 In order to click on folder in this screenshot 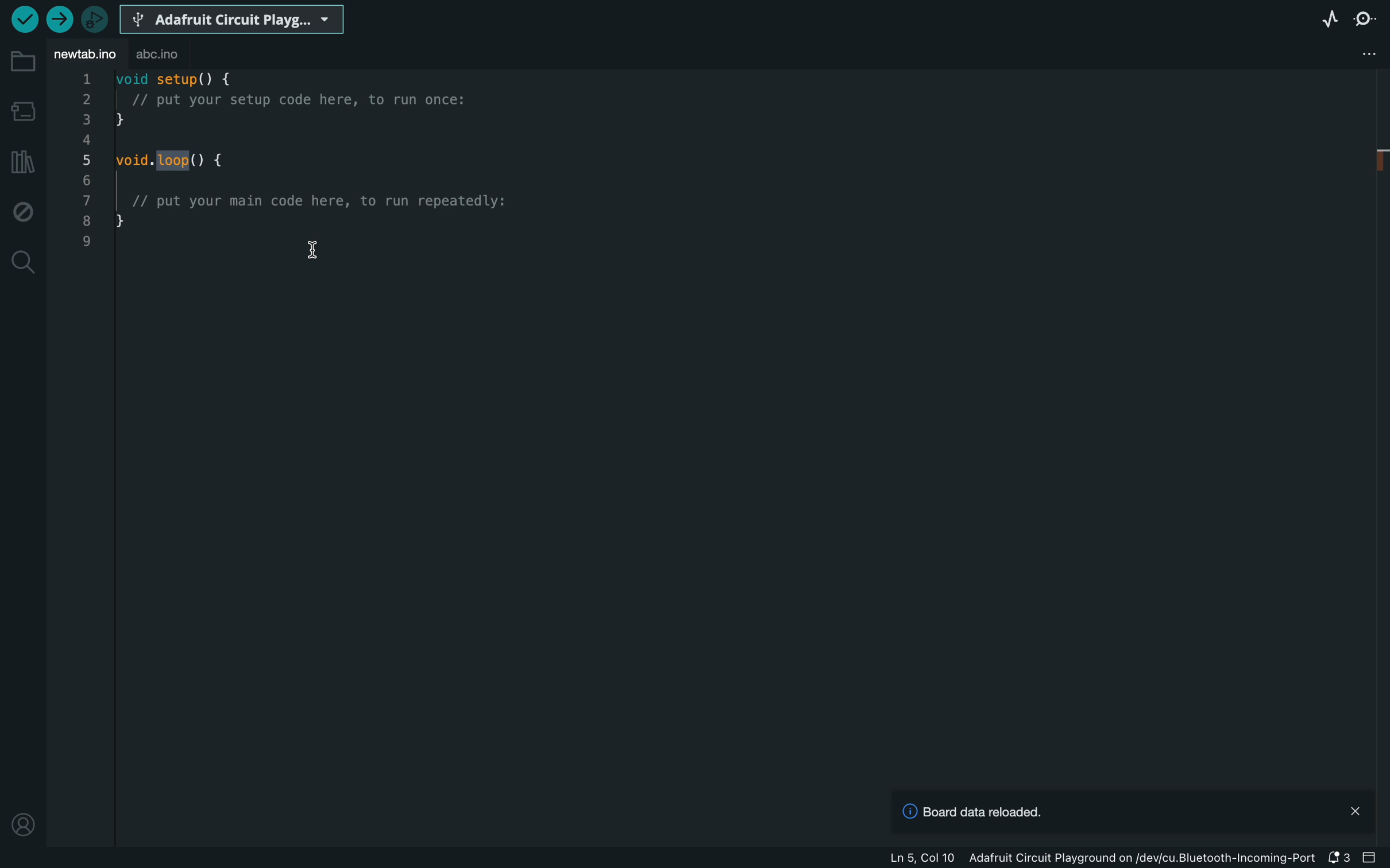, I will do `click(24, 63)`.